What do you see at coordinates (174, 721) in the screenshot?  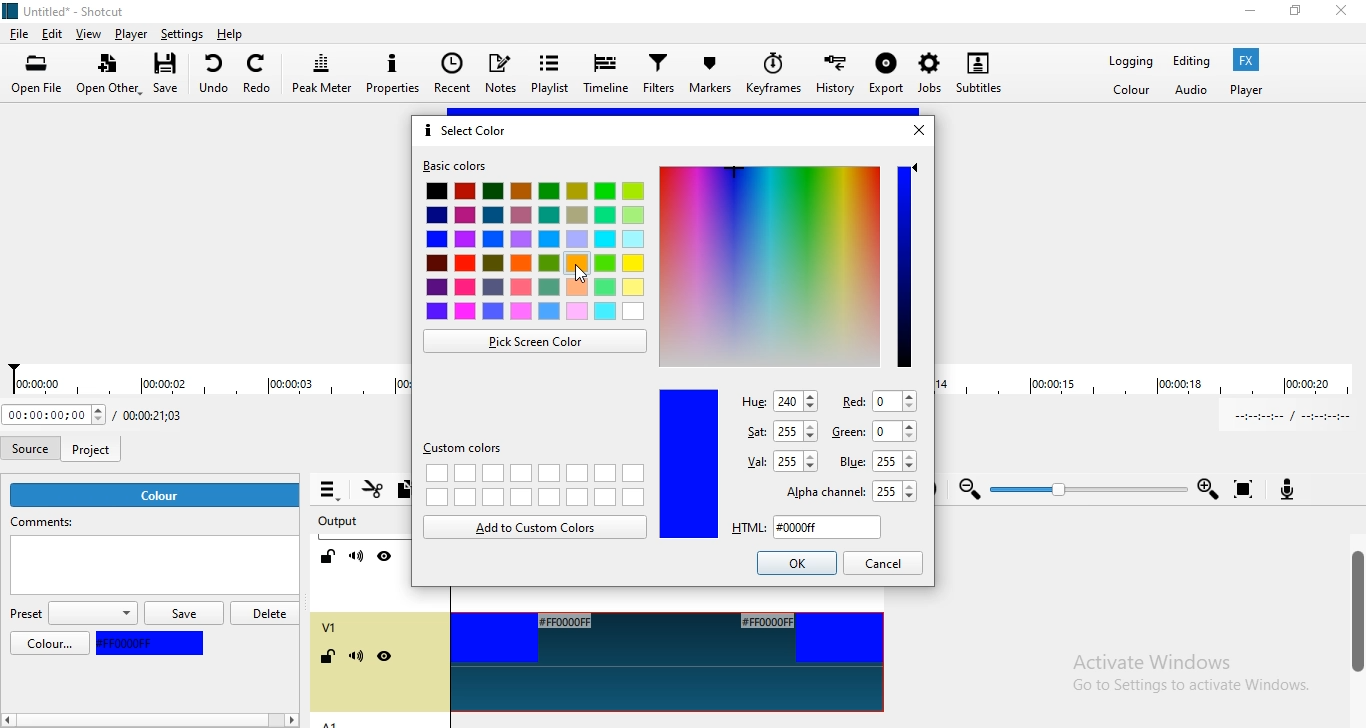 I see `scroll bar` at bounding box center [174, 721].